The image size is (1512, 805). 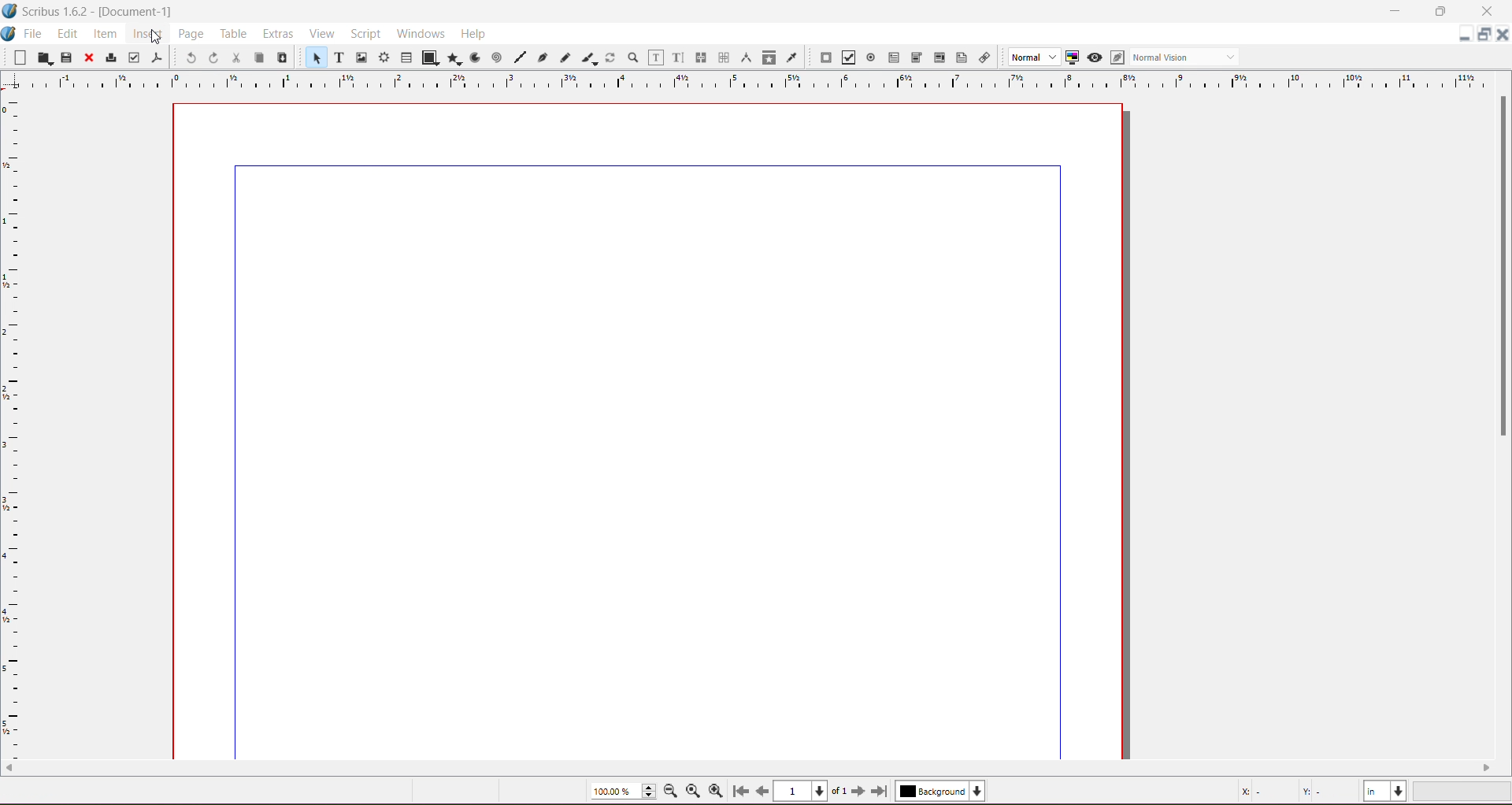 What do you see at coordinates (632, 58) in the screenshot?
I see `Zoom and Pan` at bounding box center [632, 58].